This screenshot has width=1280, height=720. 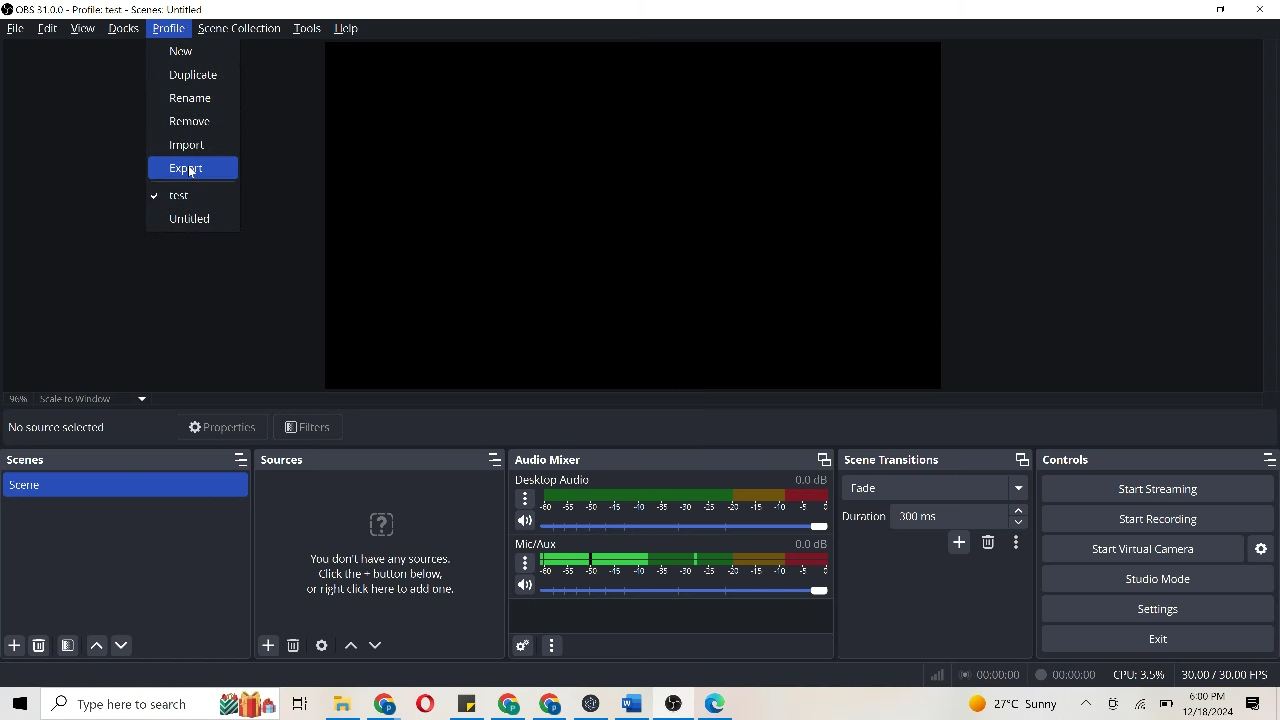 I want to click on advanced audio properties, so click(x=520, y=645).